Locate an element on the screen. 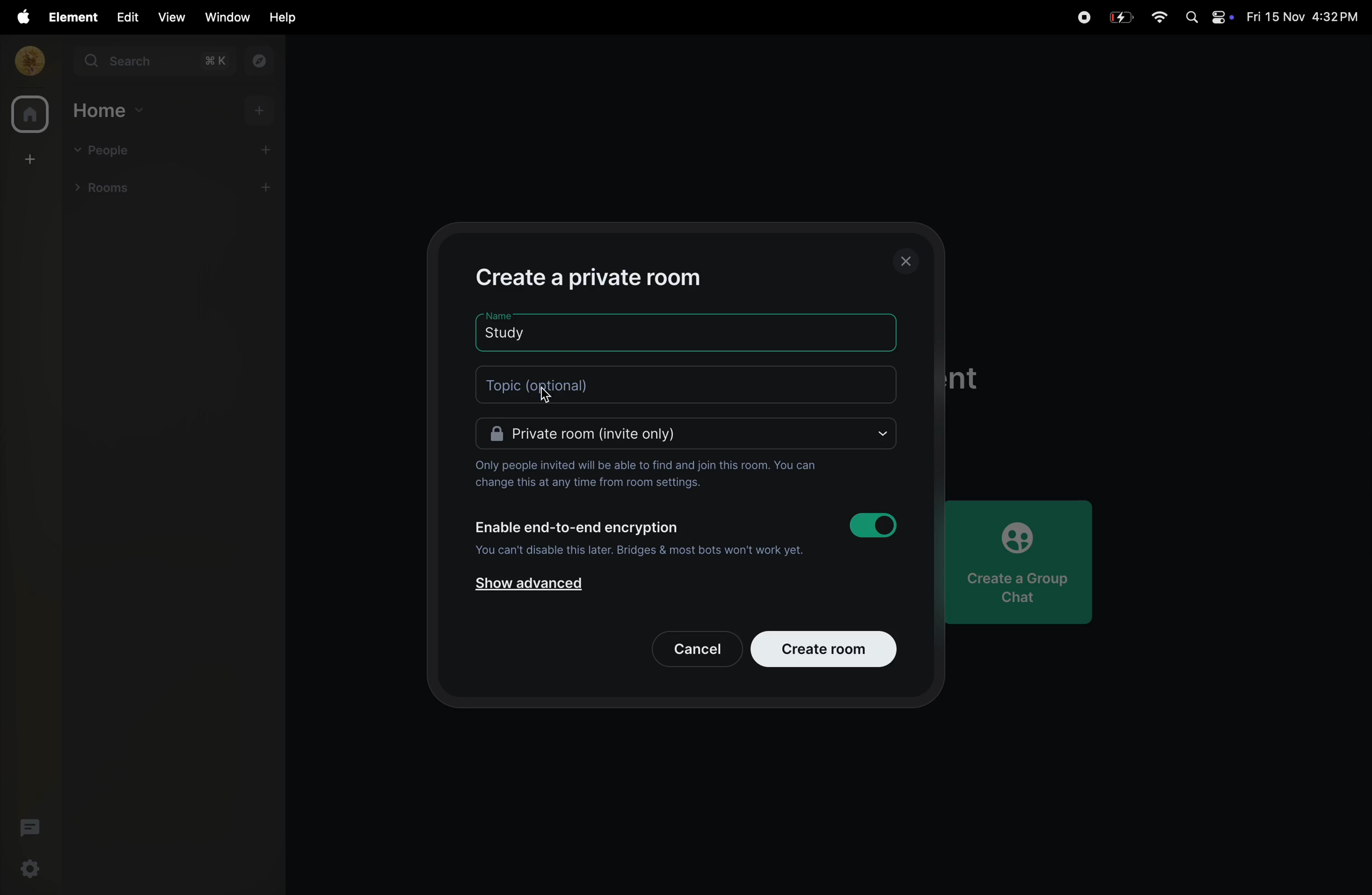 The height and width of the screenshot is (895, 1372). closing is located at coordinates (909, 260).